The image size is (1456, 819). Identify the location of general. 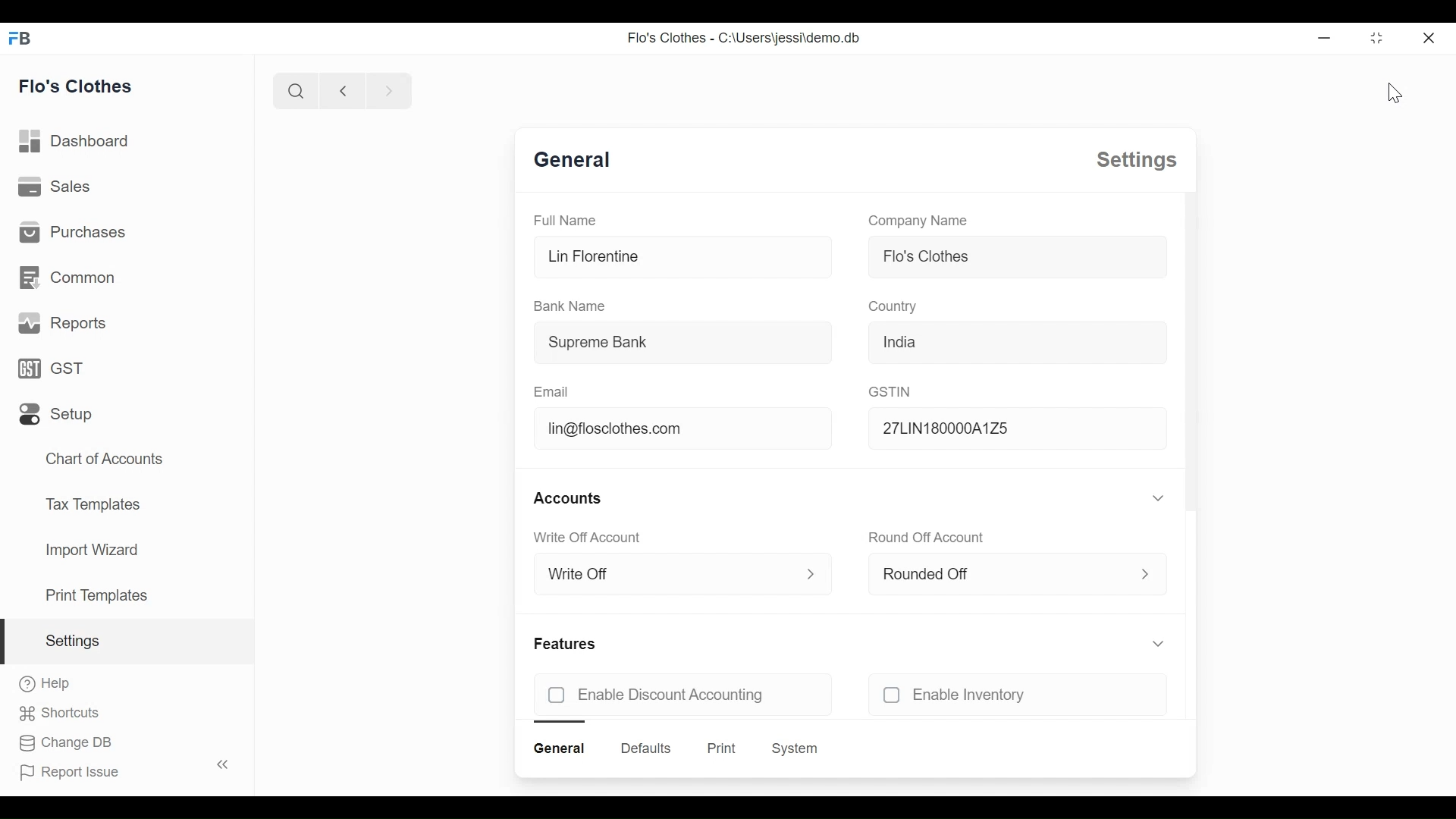
(559, 748).